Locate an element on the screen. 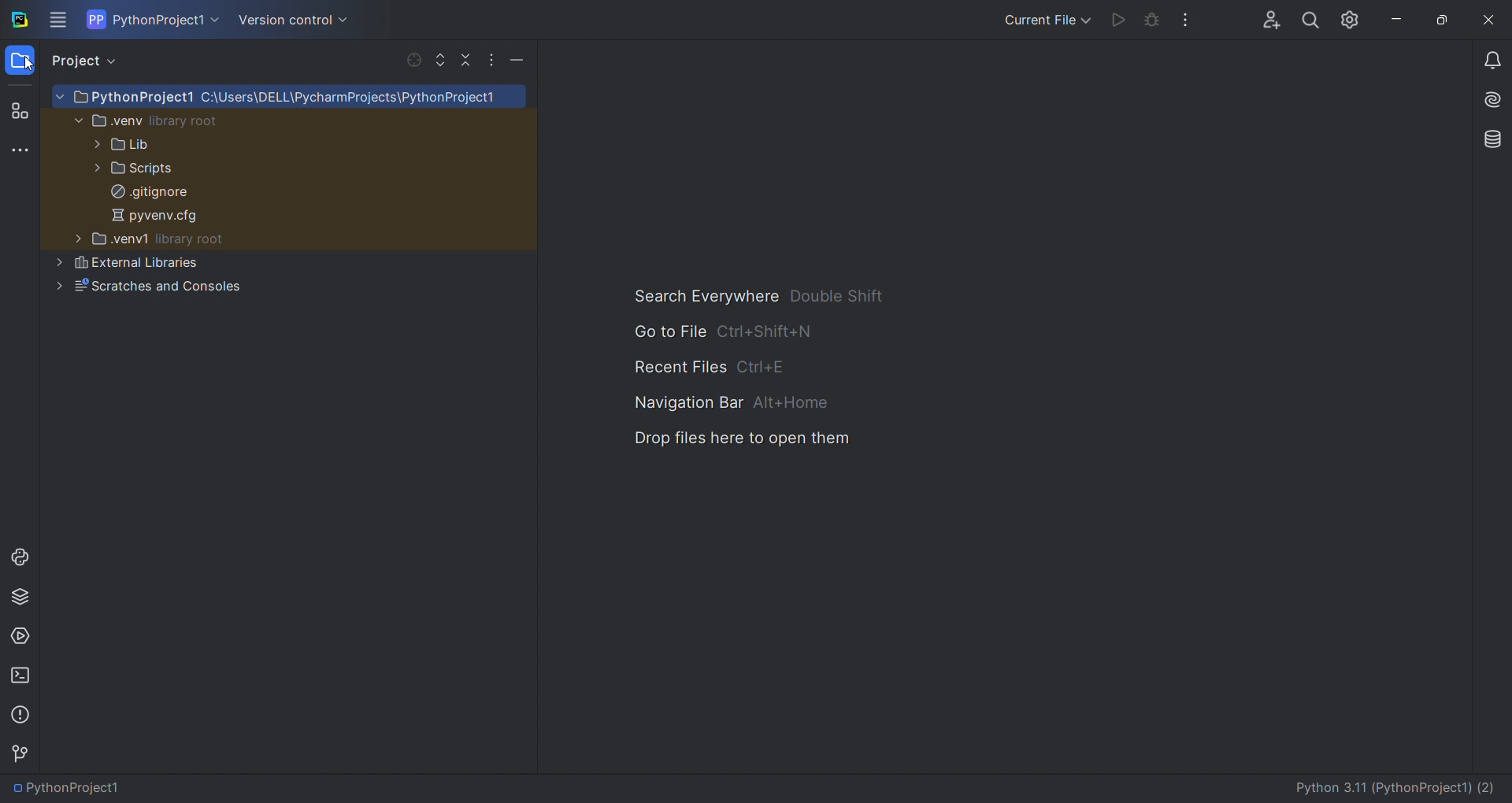 The image size is (1512, 803). project sturcture is located at coordinates (290, 199).